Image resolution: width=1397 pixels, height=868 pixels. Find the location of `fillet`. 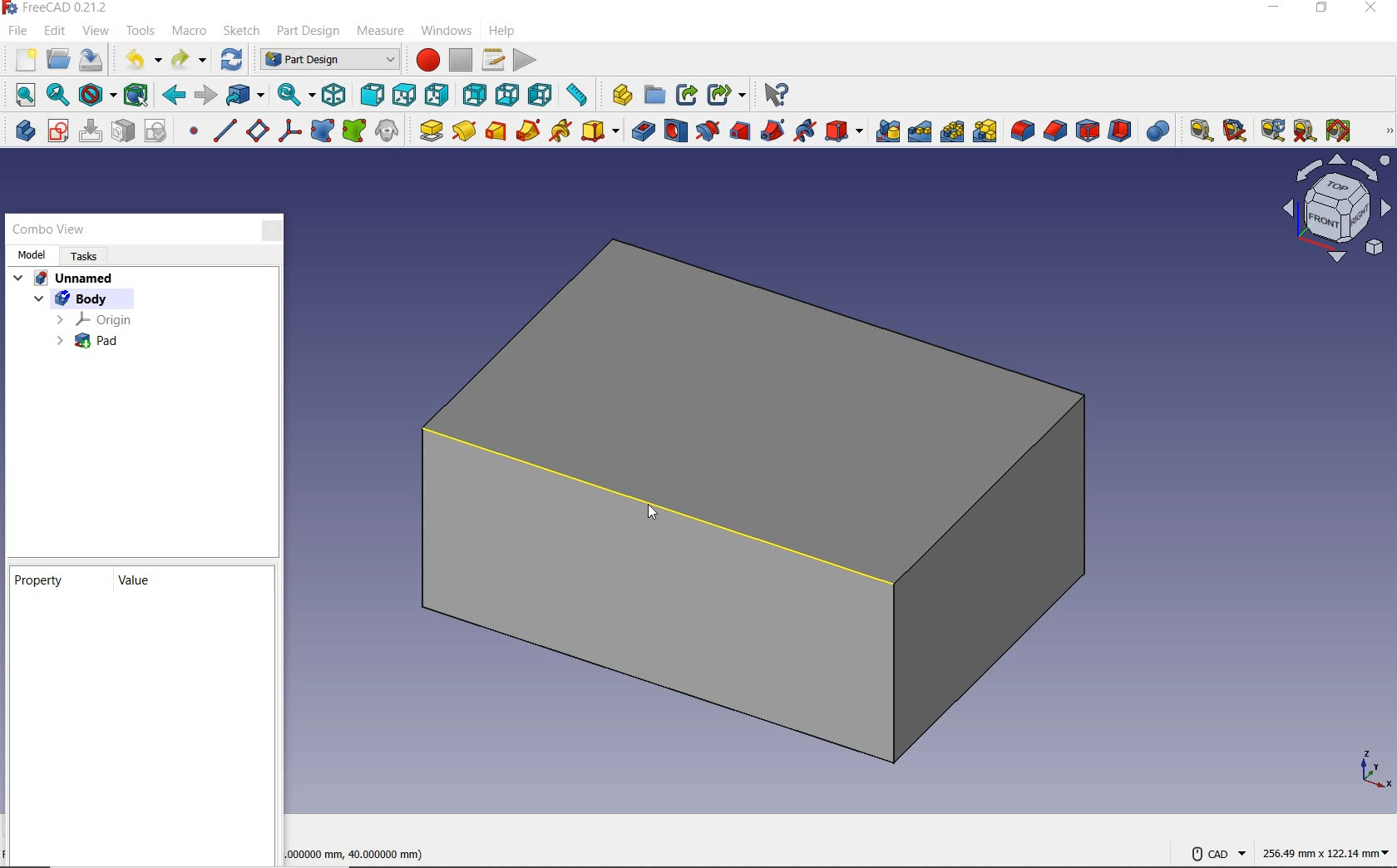

fillet is located at coordinates (1024, 132).